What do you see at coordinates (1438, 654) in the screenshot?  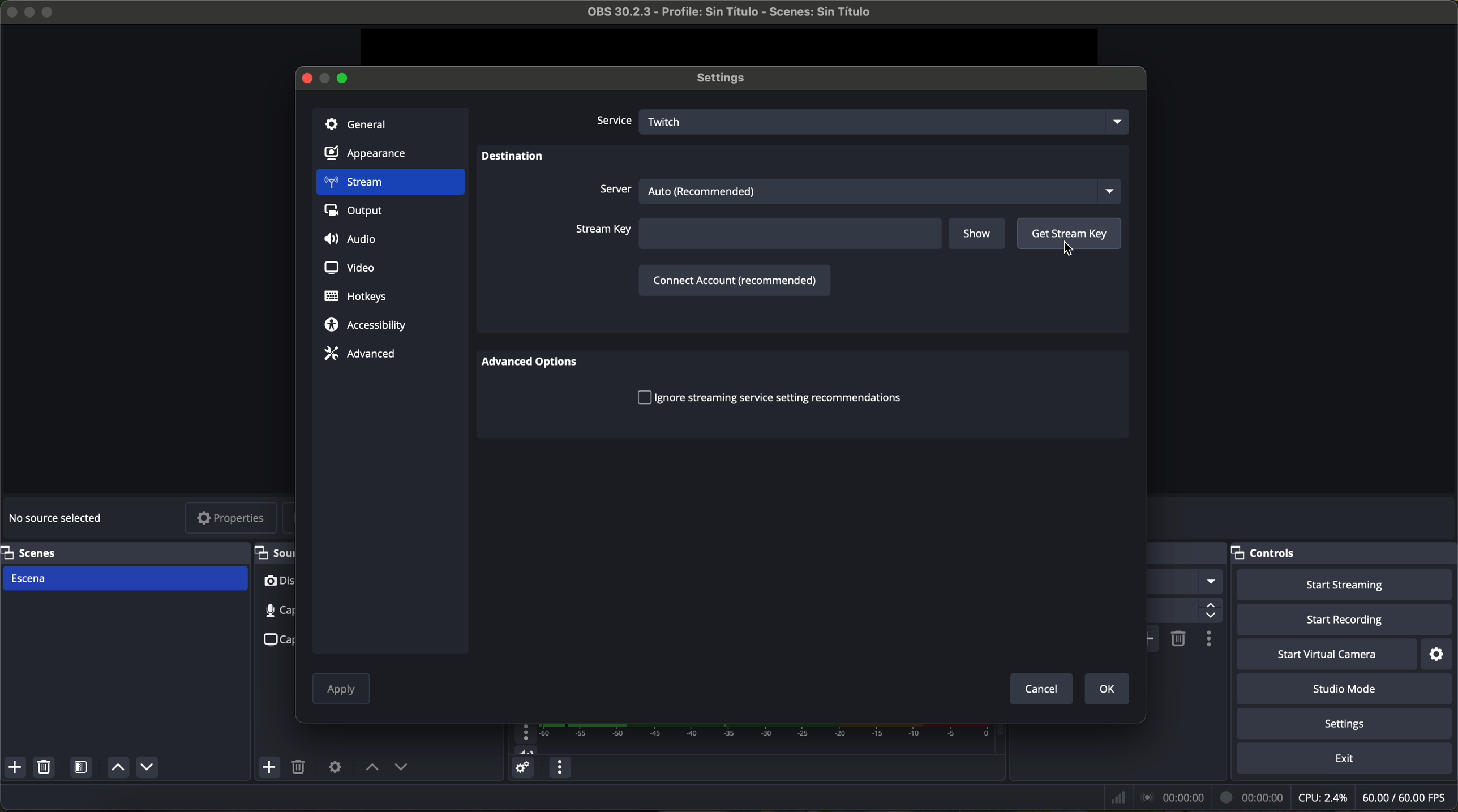 I see `settings` at bounding box center [1438, 654].